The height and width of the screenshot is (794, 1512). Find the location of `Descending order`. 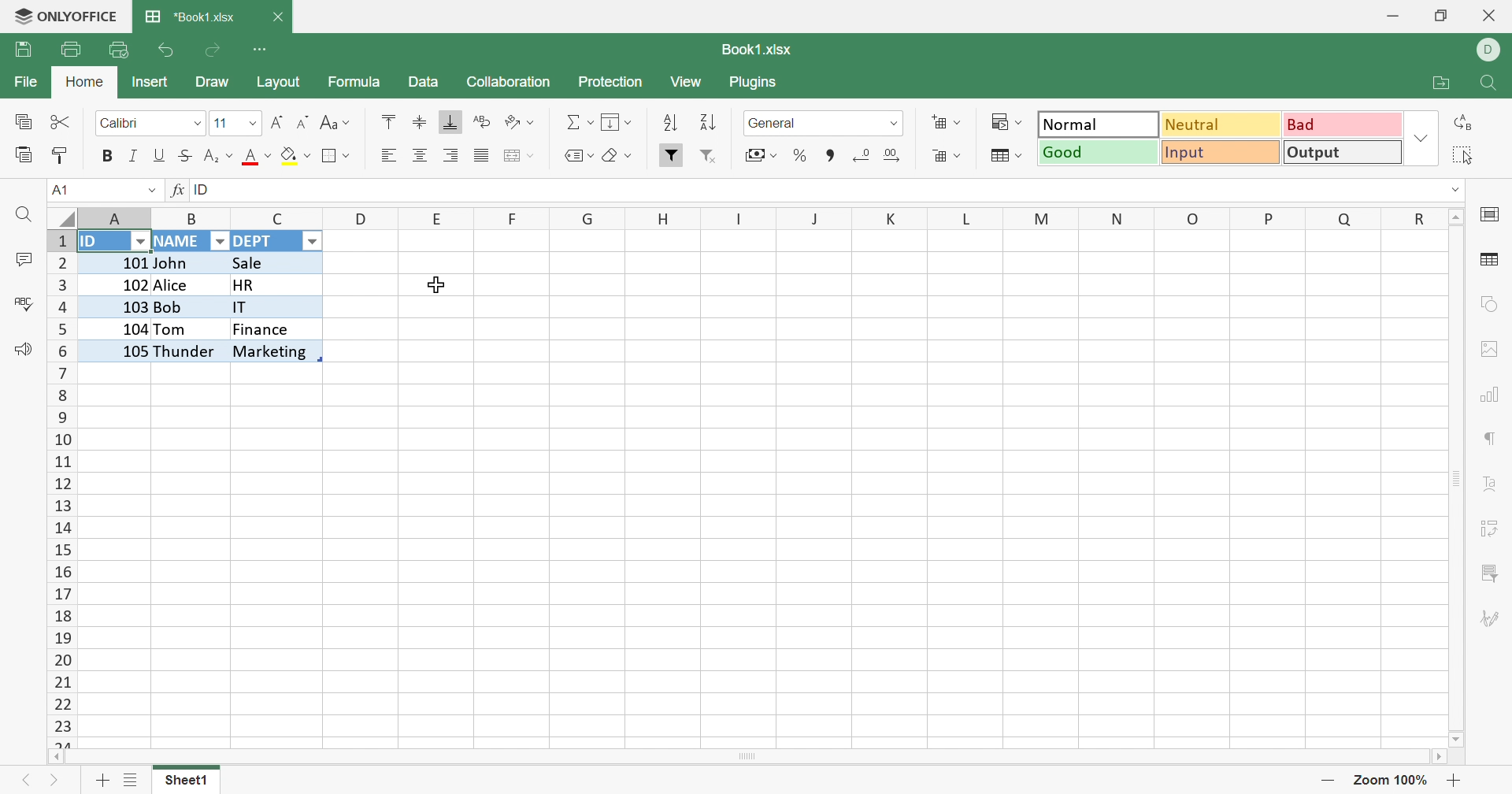

Descending order is located at coordinates (710, 122).